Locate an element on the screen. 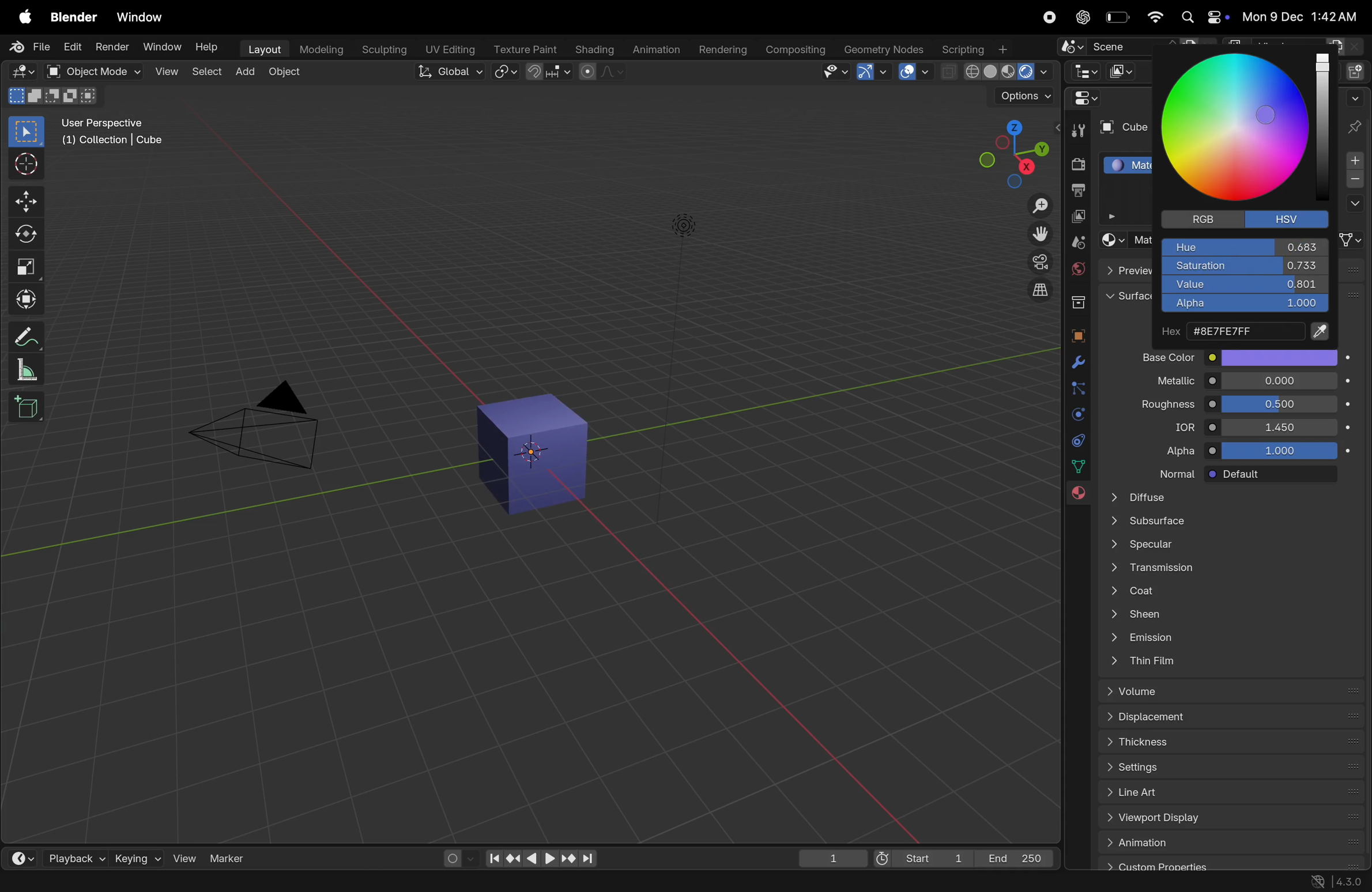  Diffuse is located at coordinates (1226, 497).